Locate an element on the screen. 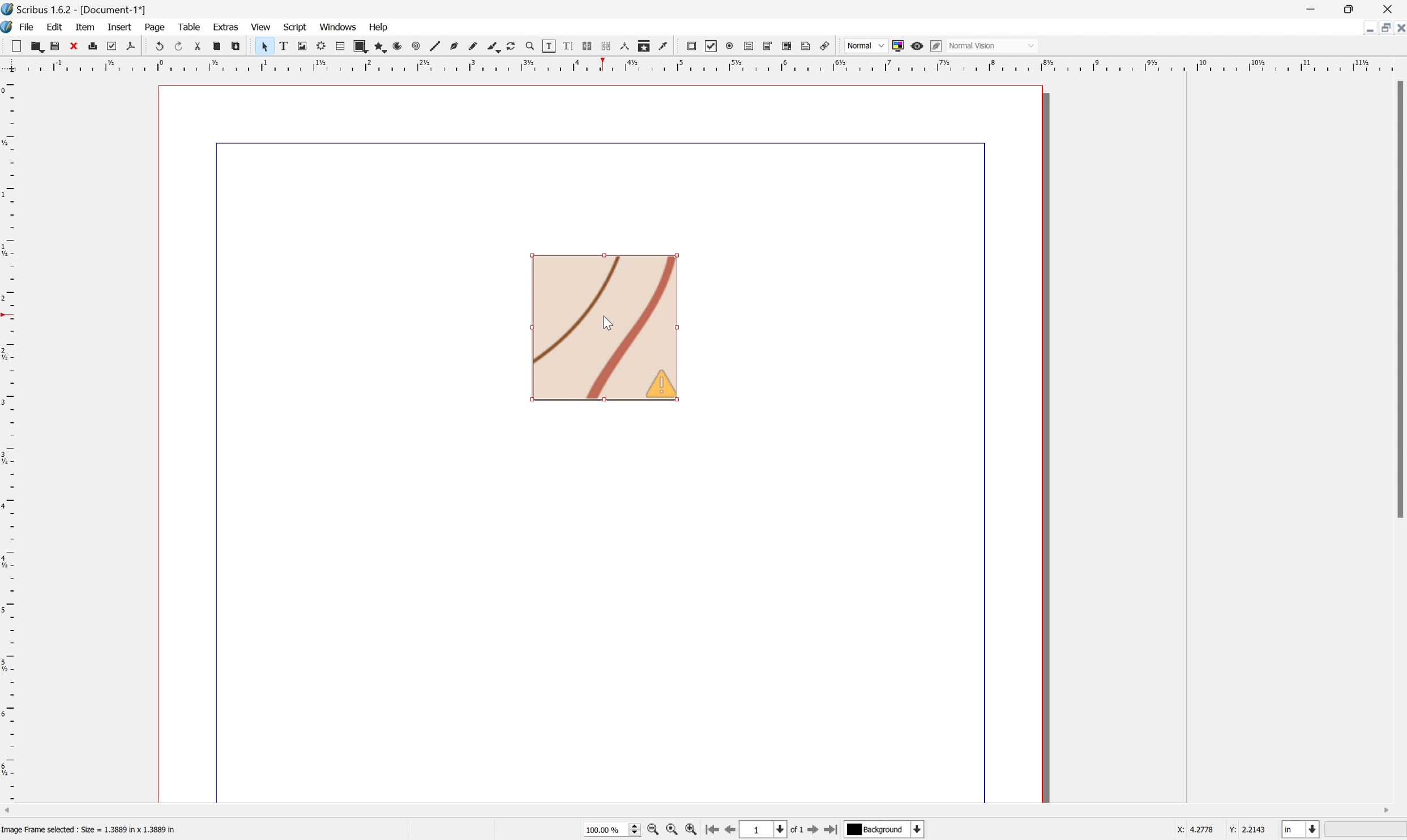 The image size is (1407, 840). Calligraphic line is located at coordinates (496, 48).